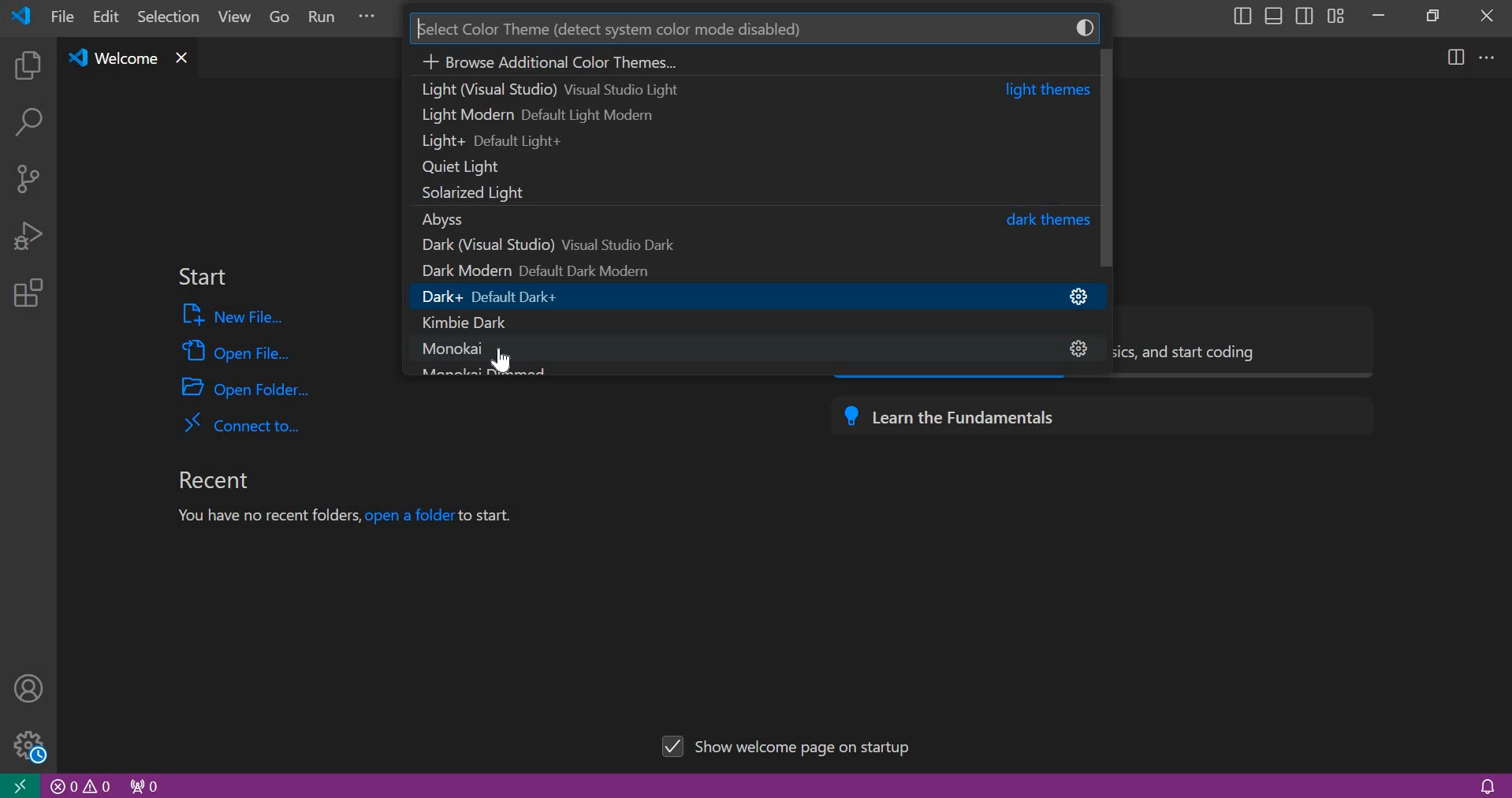  I want to click on accounts, so click(30, 687).